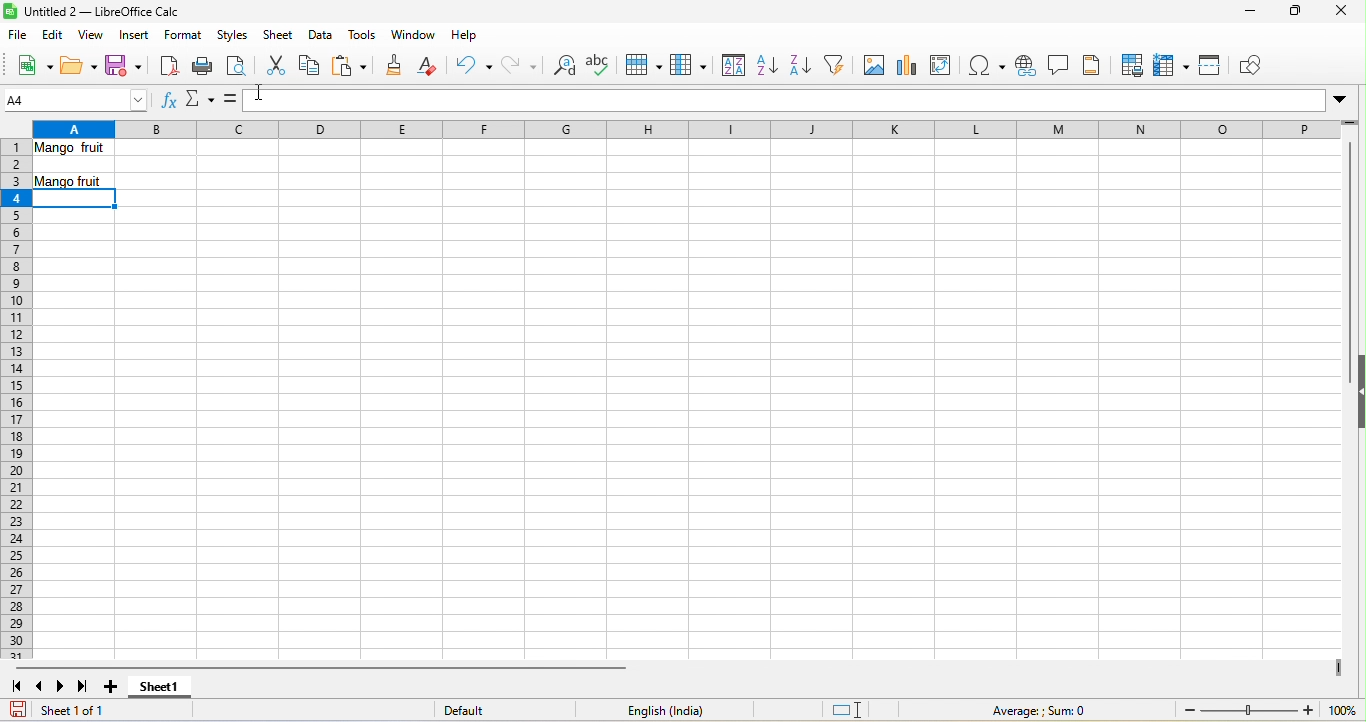 This screenshot has height=722, width=1366. What do you see at coordinates (990, 66) in the screenshot?
I see `special character` at bounding box center [990, 66].